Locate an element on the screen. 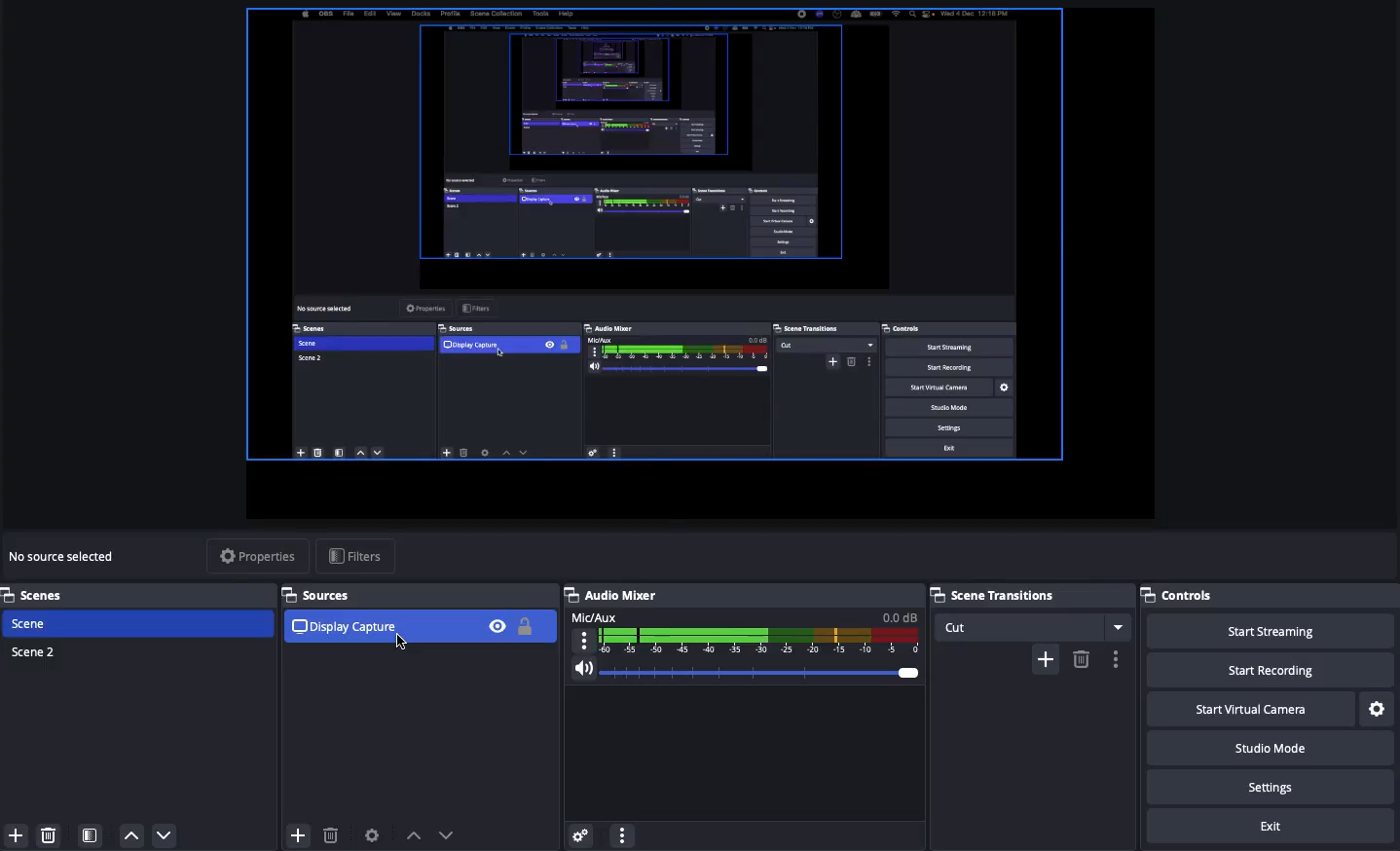 This screenshot has height=851, width=1400. Start streaming is located at coordinates (1271, 631).